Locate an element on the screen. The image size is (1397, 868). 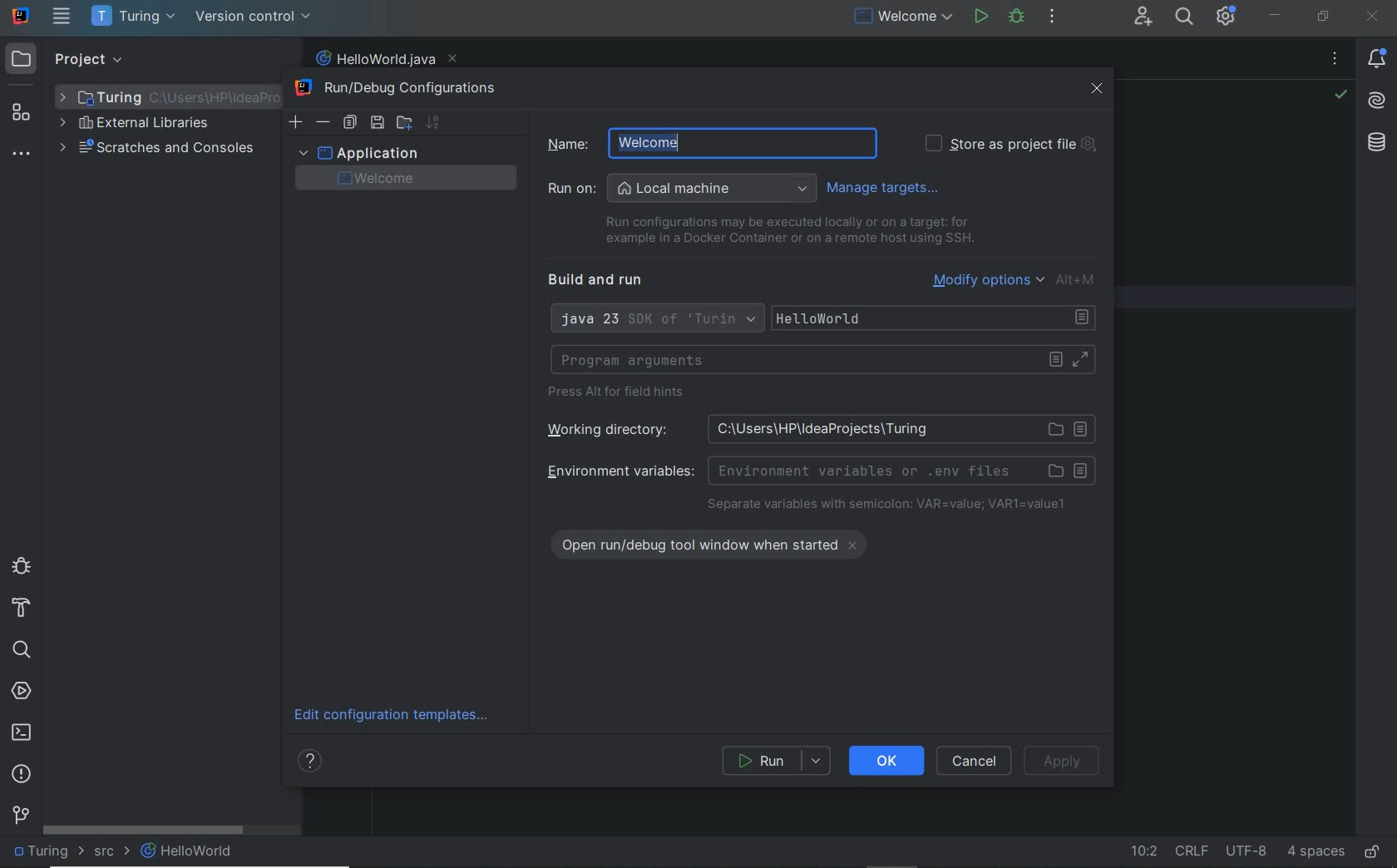
problems is located at coordinates (22, 775).